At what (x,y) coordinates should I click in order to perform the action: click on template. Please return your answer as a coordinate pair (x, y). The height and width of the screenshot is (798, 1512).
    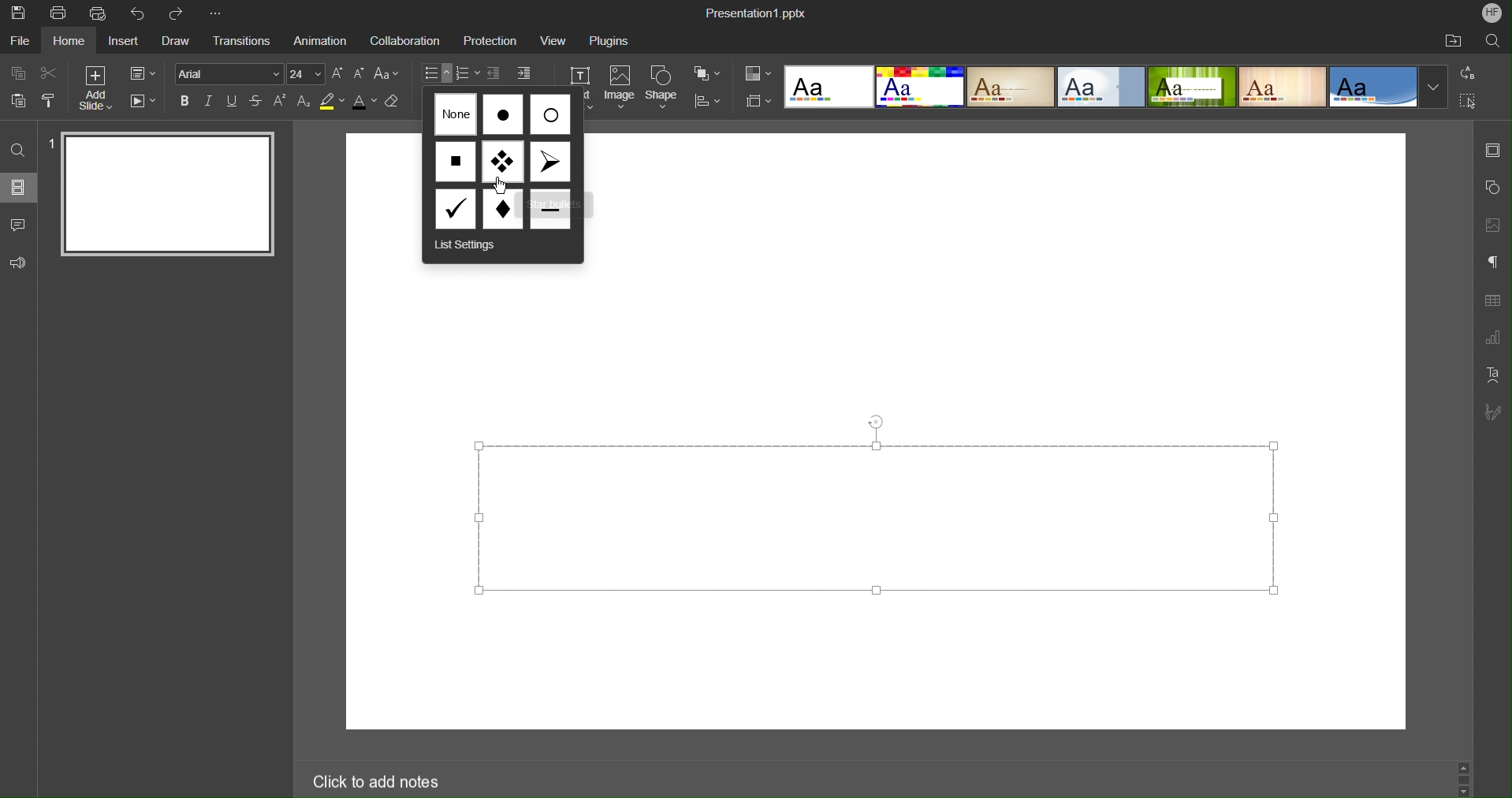
    Looking at the image, I should click on (1282, 87).